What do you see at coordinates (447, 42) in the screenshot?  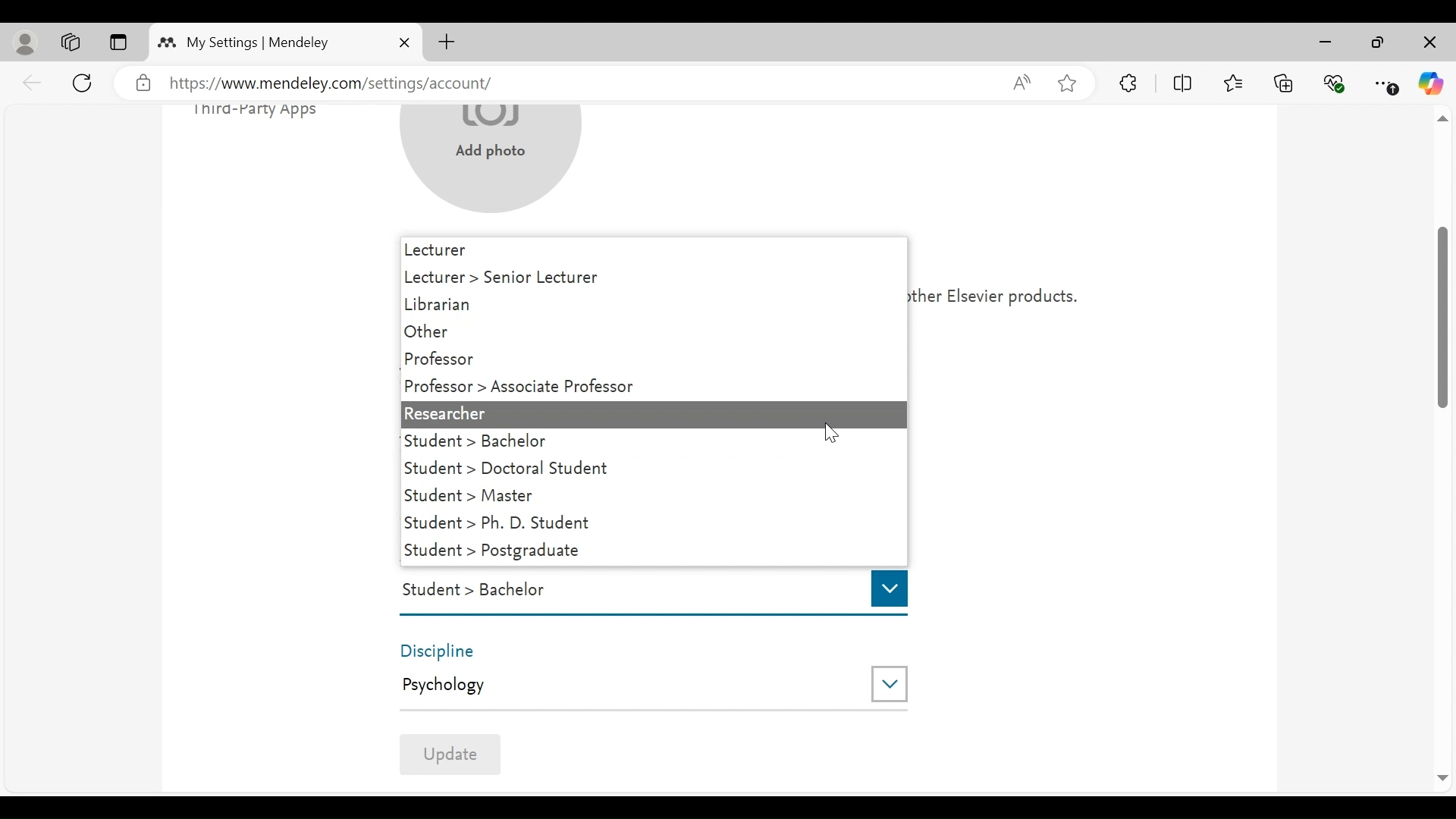 I see `New Tab` at bounding box center [447, 42].